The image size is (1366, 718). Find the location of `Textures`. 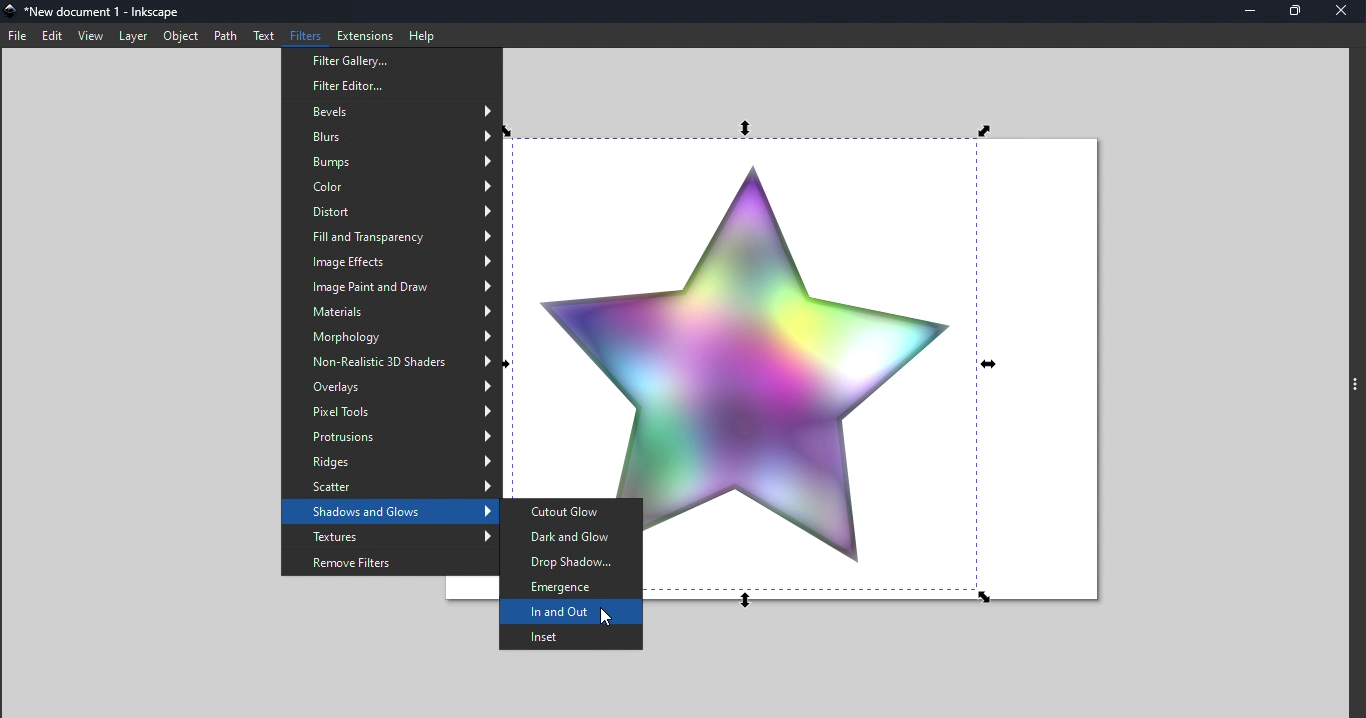

Textures is located at coordinates (392, 538).